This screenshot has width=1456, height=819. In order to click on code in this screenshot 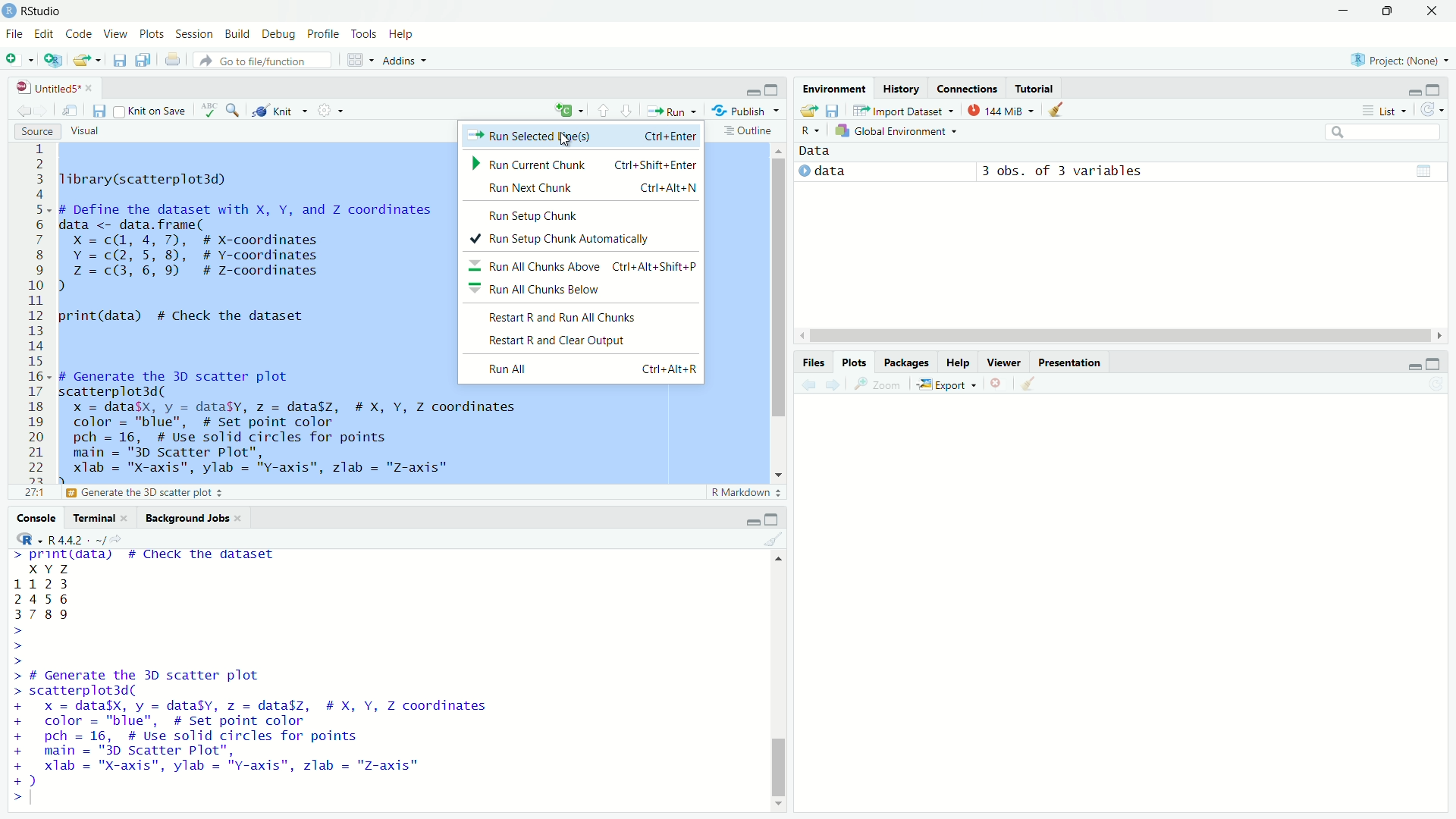, I will do `click(80, 35)`.